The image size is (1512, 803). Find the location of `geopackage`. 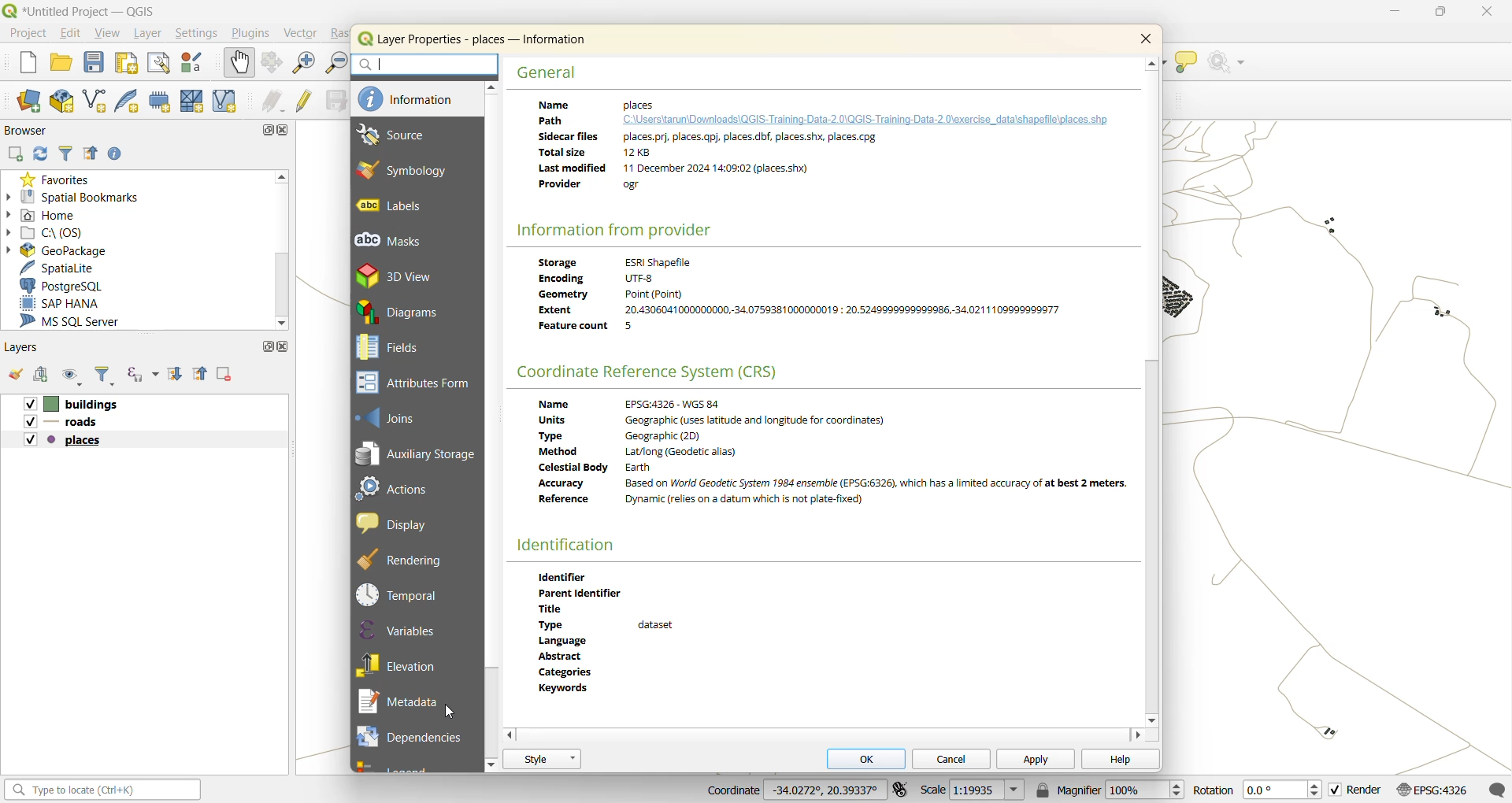

geopackage is located at coordinates (66, 250).